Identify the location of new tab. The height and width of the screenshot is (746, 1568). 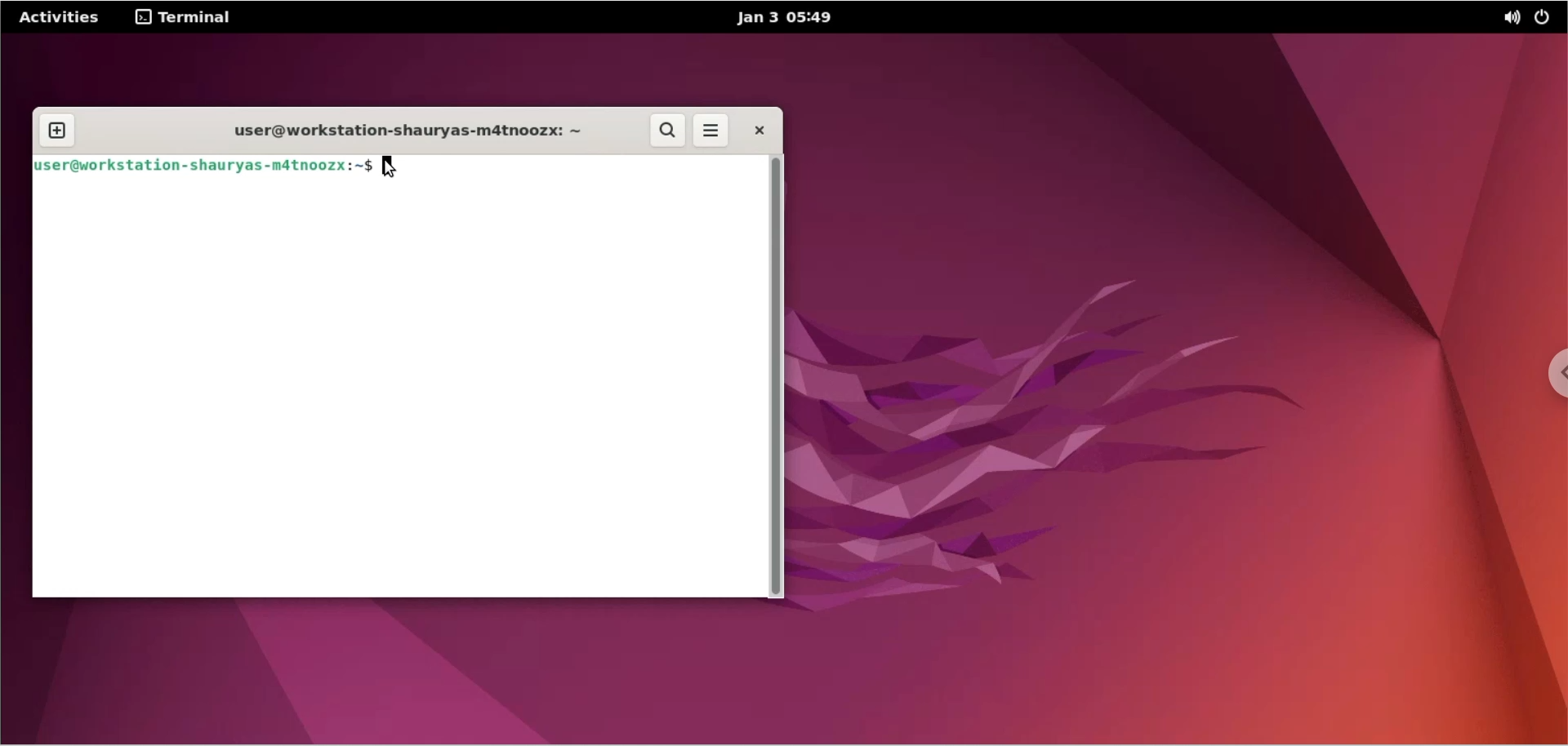
(58, 131).